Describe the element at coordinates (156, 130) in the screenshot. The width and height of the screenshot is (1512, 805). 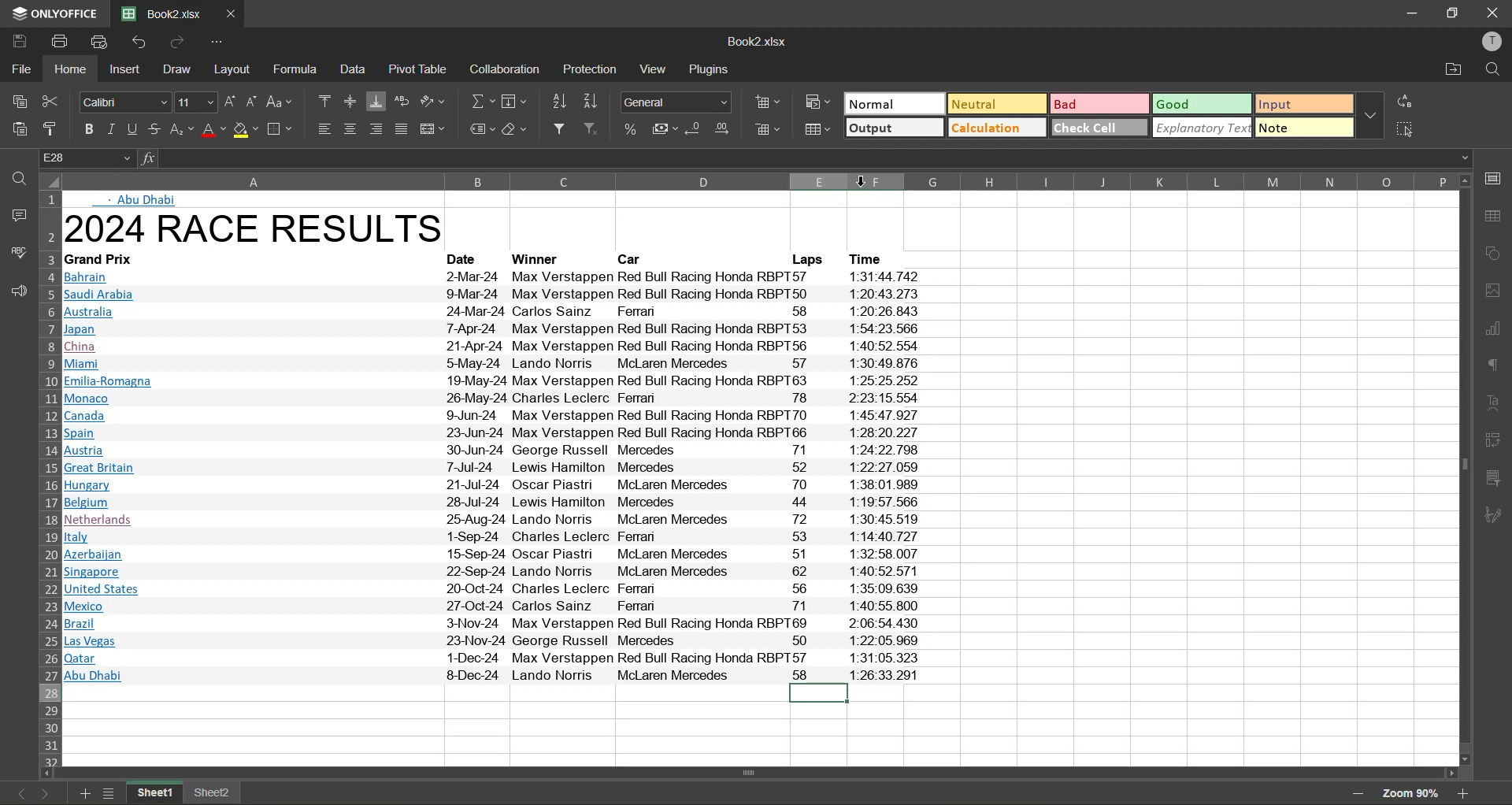
I see `strikethrough` at that location.